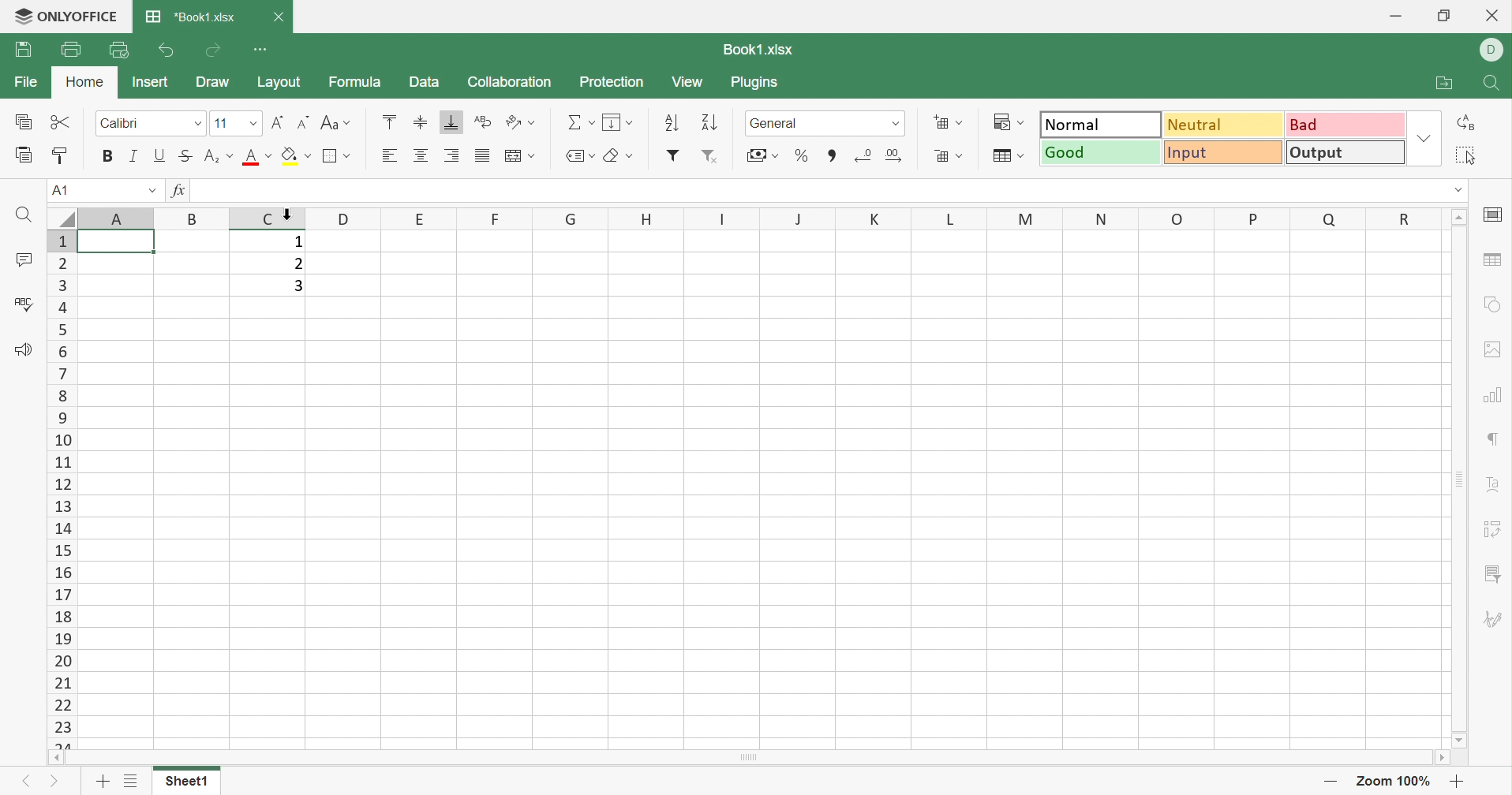  What do you see at coordinates (628, 155) in the screenshot?
I see `Drop Down` at bounding box center [628, 155].